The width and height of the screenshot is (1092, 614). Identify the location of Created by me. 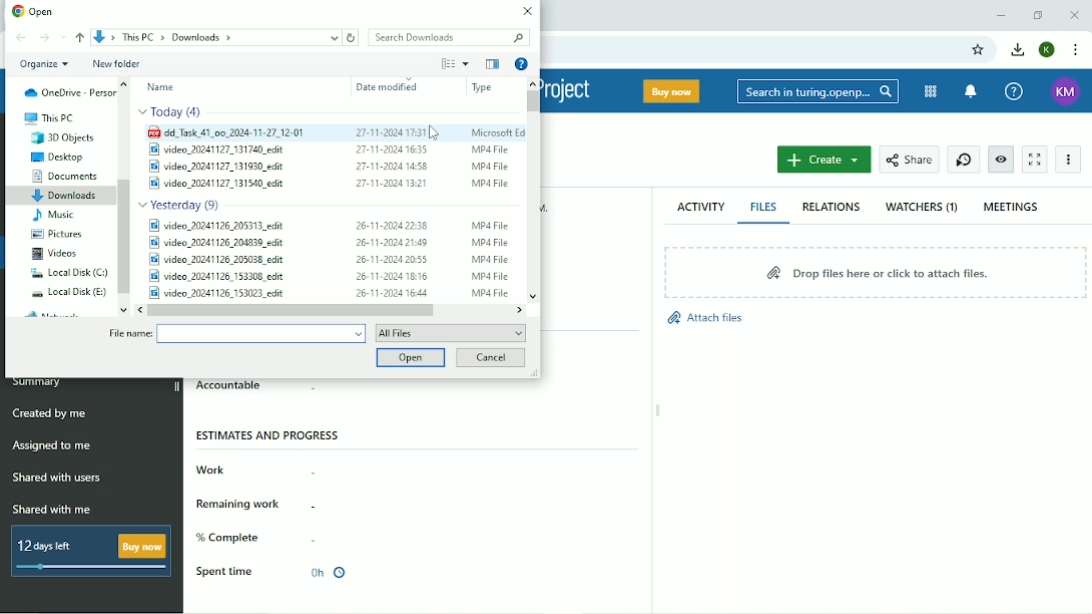
(50, 413).